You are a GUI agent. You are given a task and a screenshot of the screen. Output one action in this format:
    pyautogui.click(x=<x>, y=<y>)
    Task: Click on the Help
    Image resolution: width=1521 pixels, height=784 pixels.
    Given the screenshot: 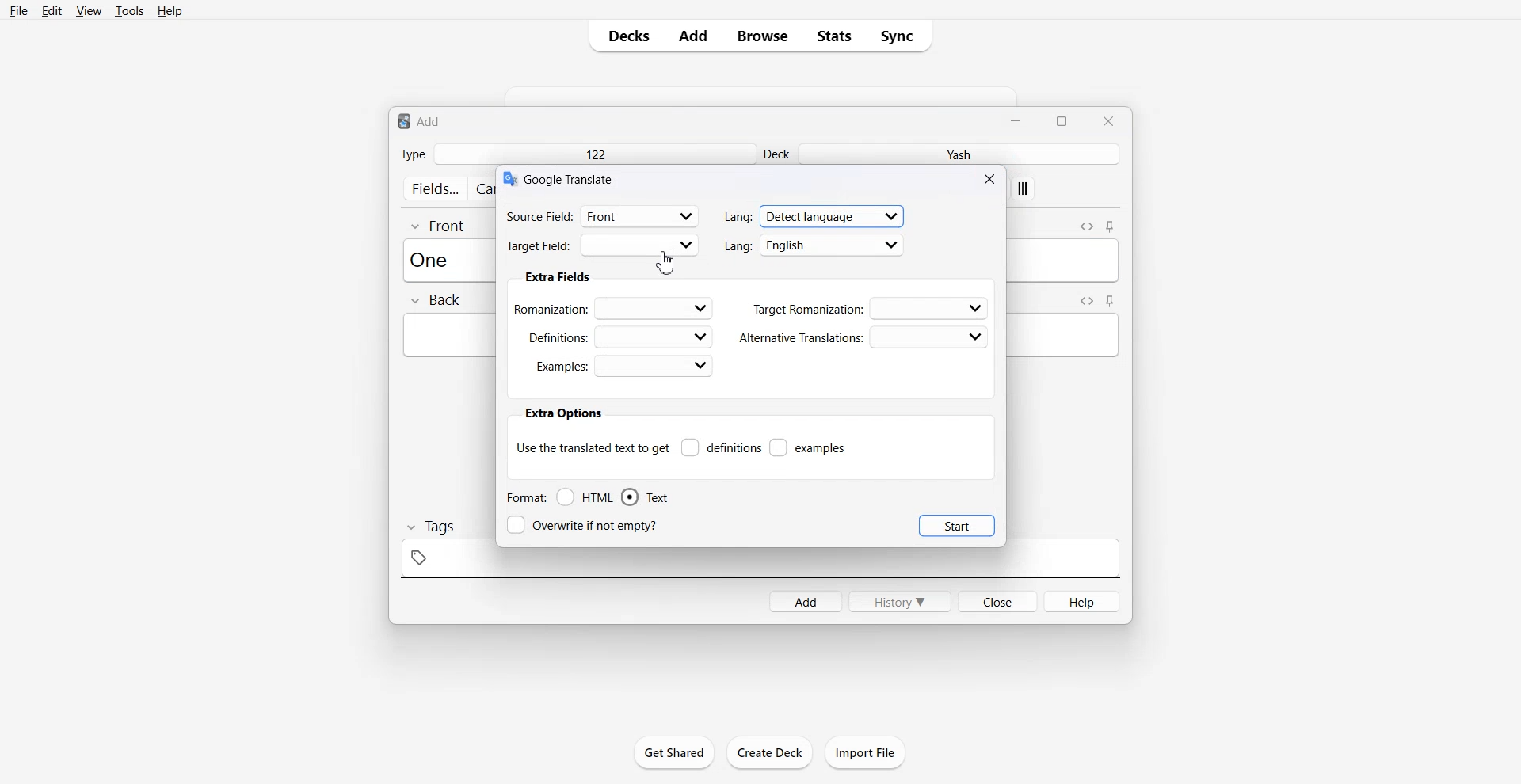 What is the action you would take?
    pyautogui.click(x=170, y=10)
    